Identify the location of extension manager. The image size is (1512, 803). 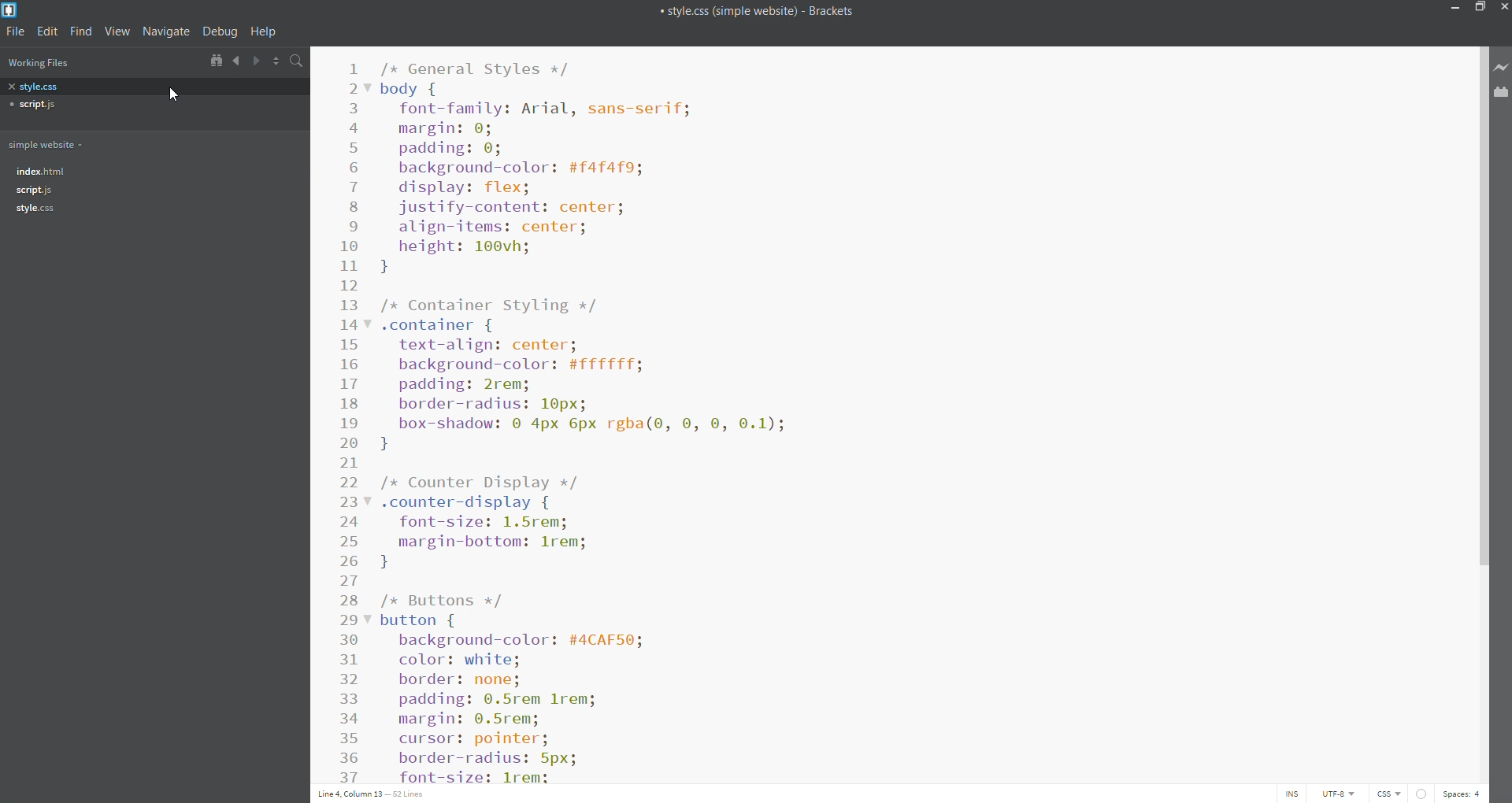
(1499, 93).